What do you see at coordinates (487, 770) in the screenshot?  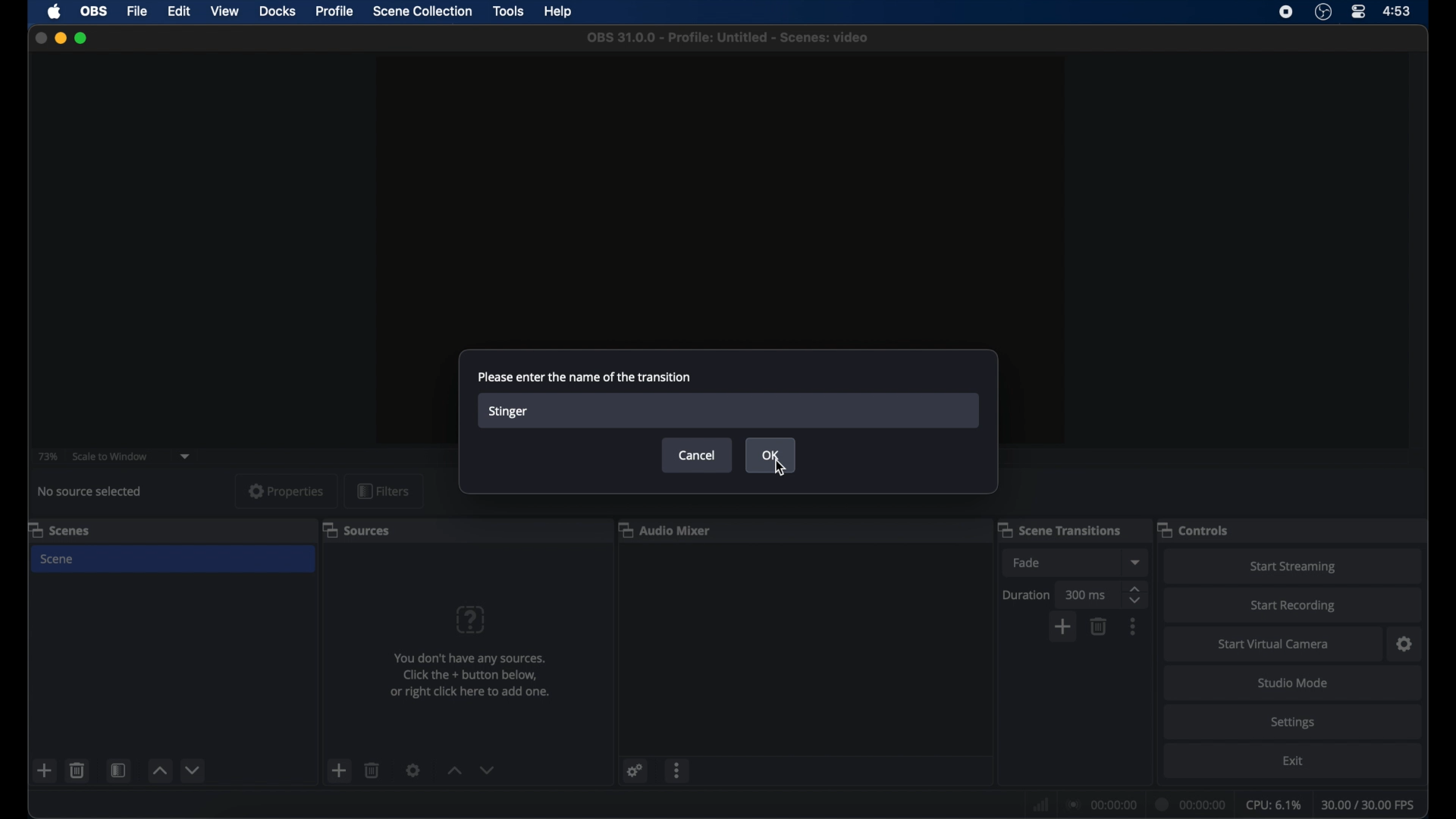 I see `decrement` at bounding box center [487, 770].